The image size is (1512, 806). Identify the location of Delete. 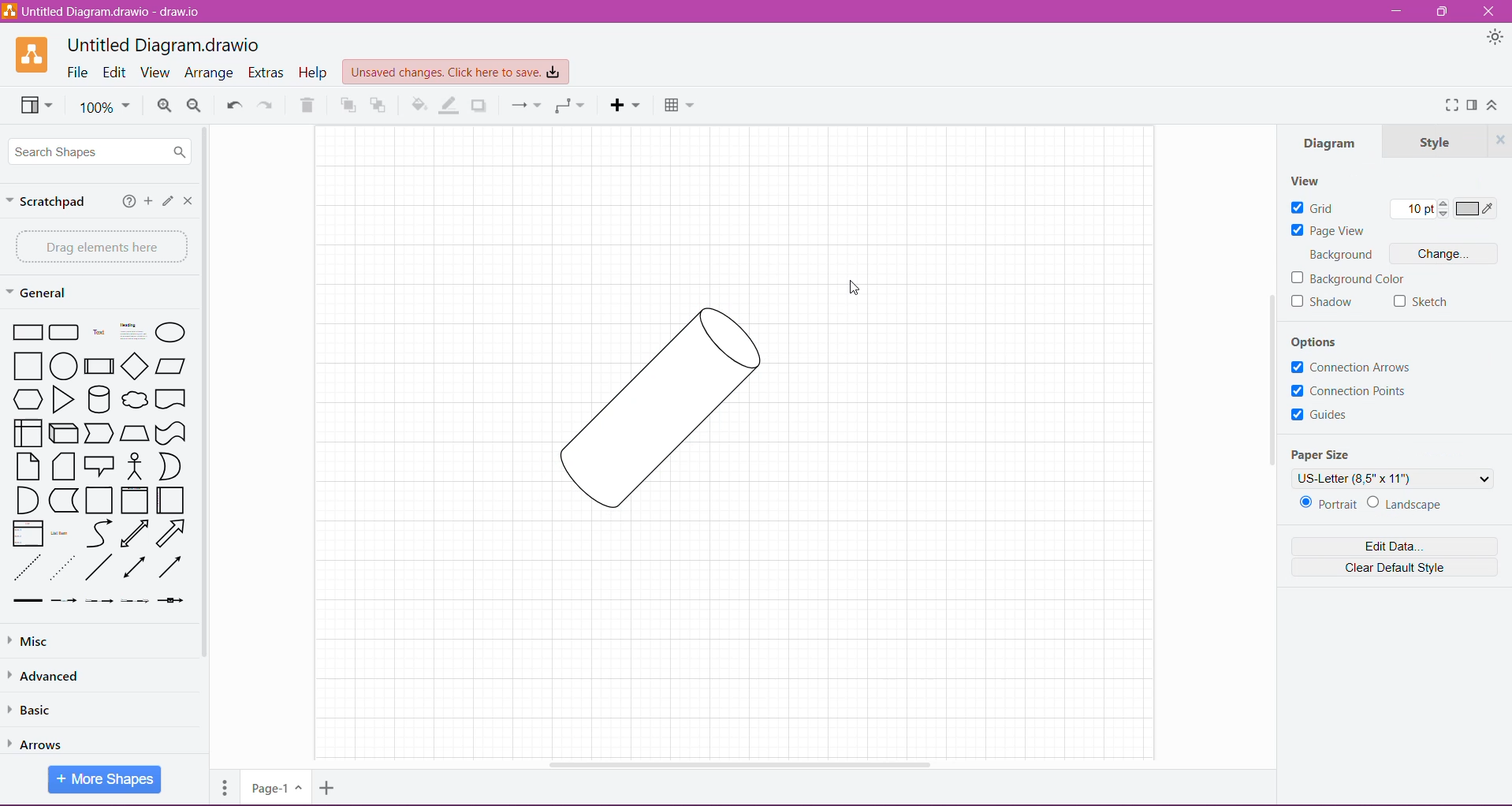
(311, 105).